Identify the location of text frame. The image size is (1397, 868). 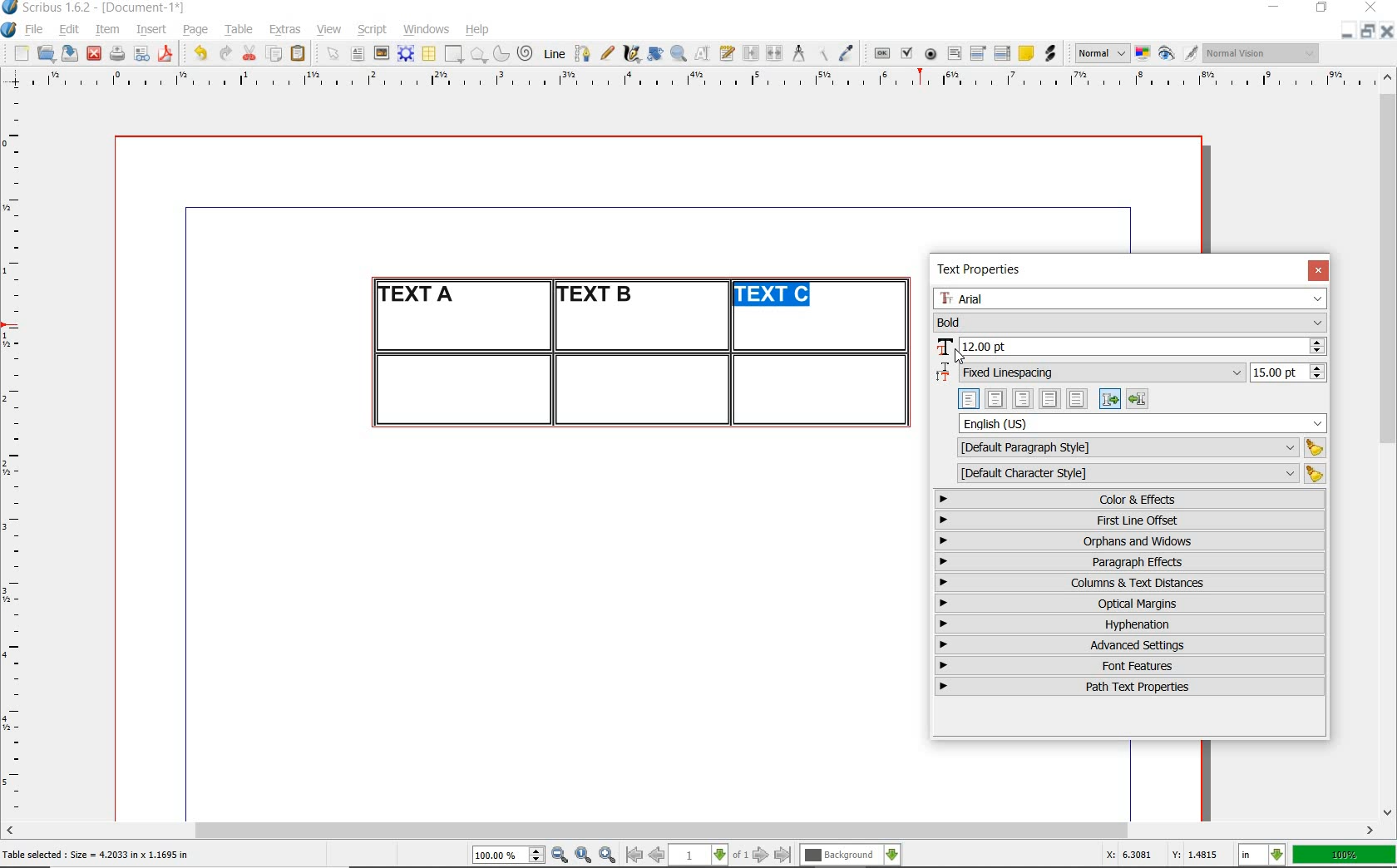
(357, 55).